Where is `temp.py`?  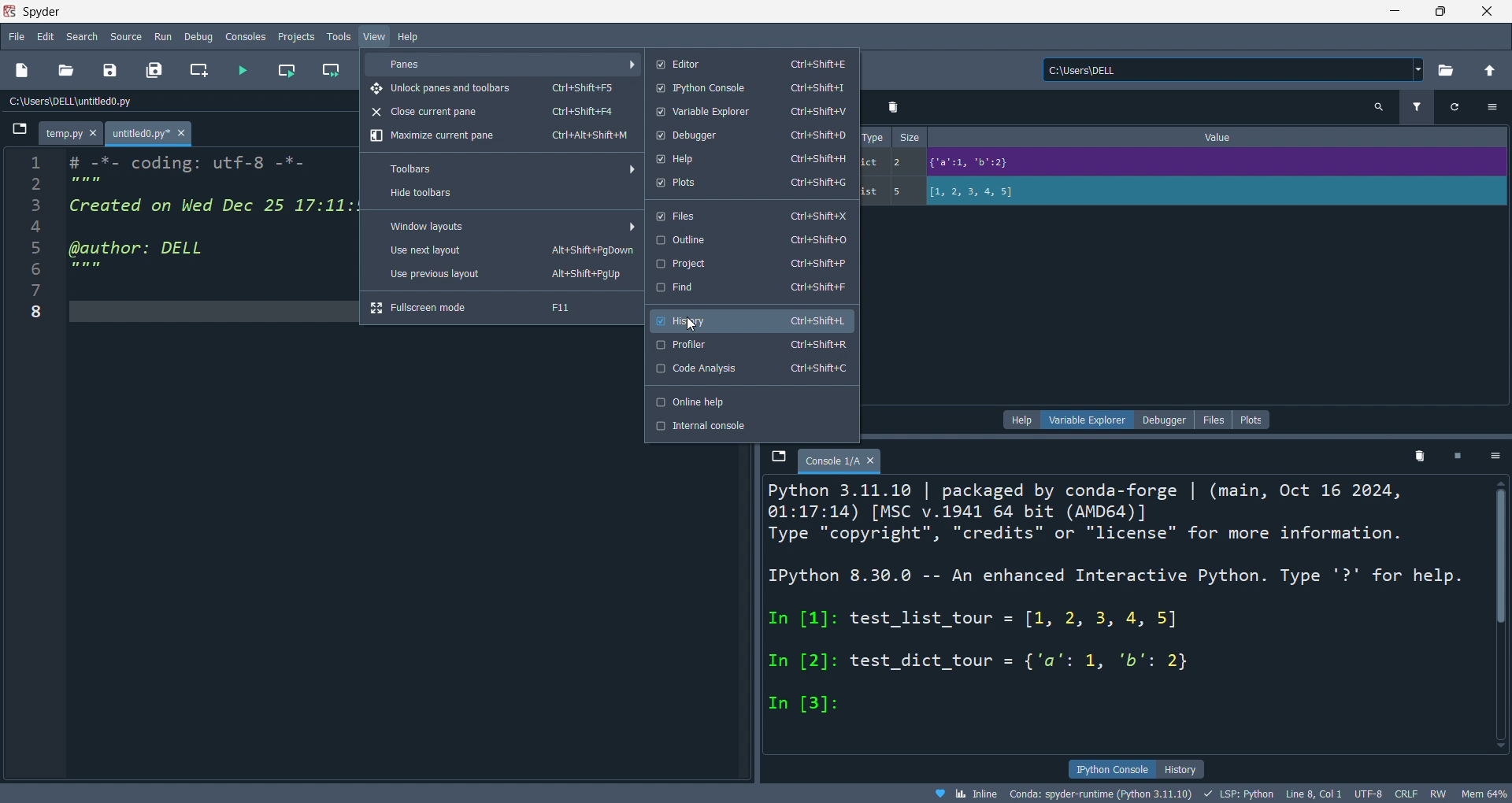
temp.py is located at coordinates (73, 135).